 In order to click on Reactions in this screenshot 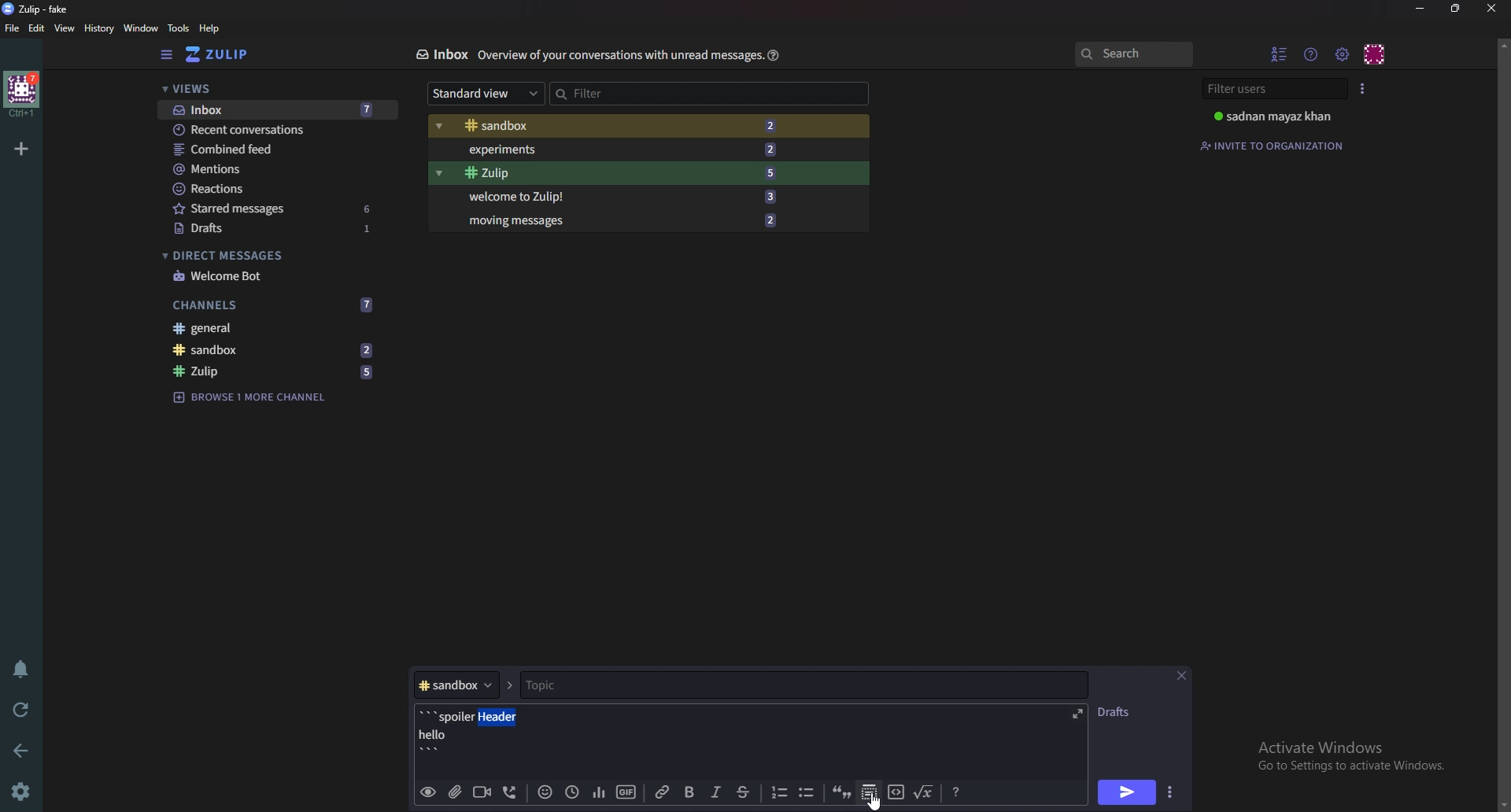, I will do `click(274, 189)`.